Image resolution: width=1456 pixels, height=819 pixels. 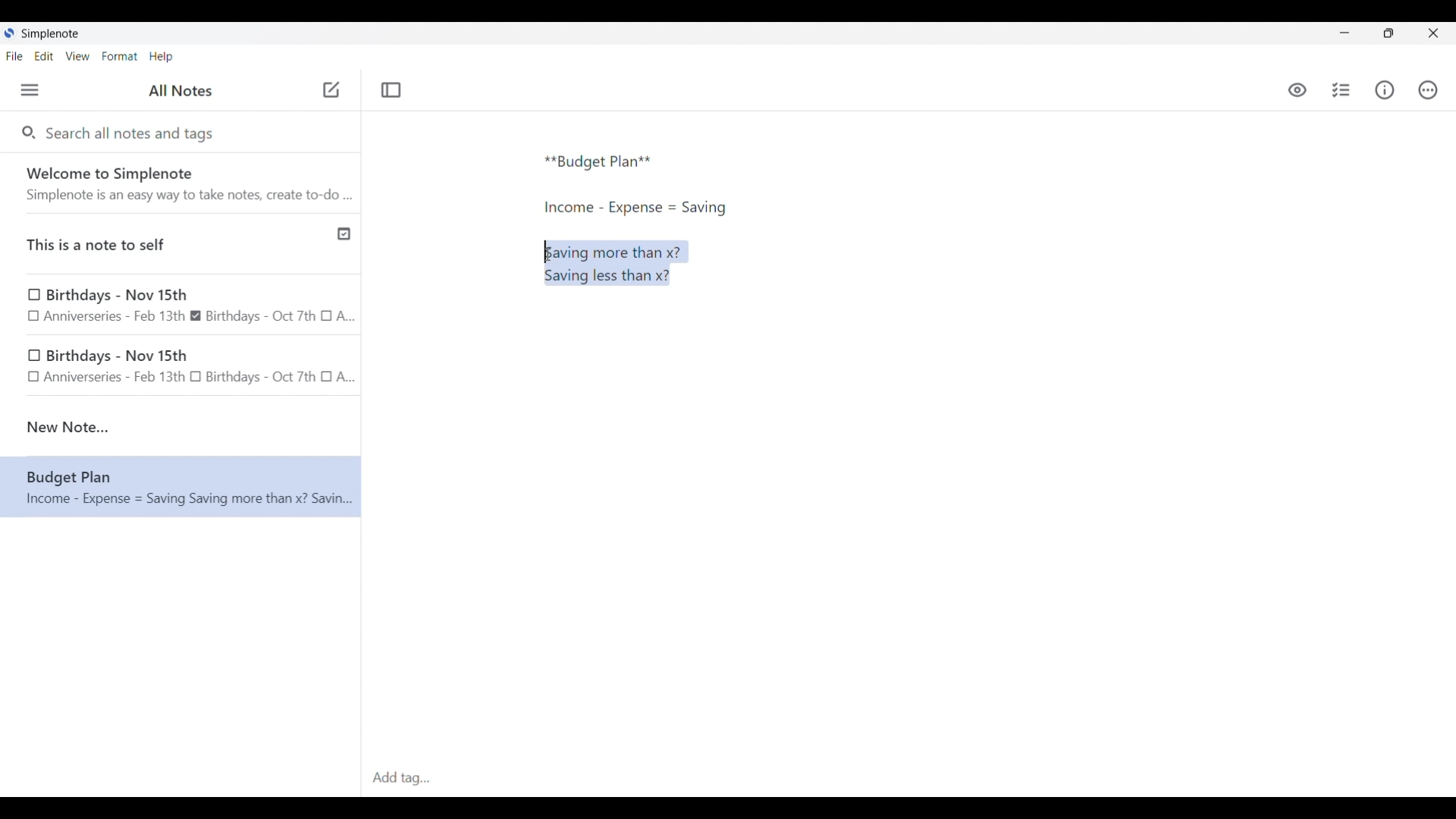 What do you see at coordinates (52, 34) in the screenshot?
I see `Software name` at bounding box center [52, 34].